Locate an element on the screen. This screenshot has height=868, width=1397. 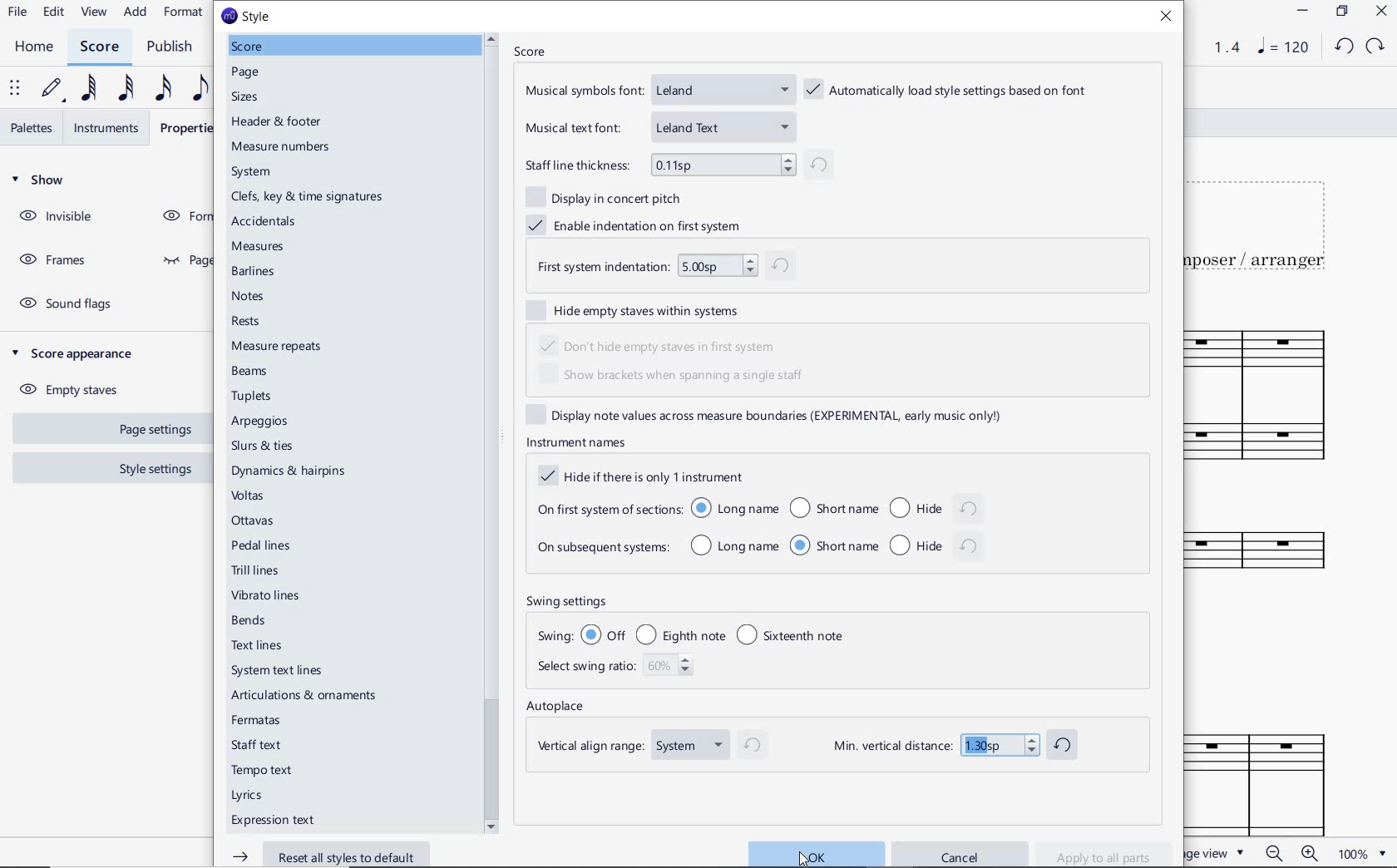
PALETTES is located at coordinates (31, 128).